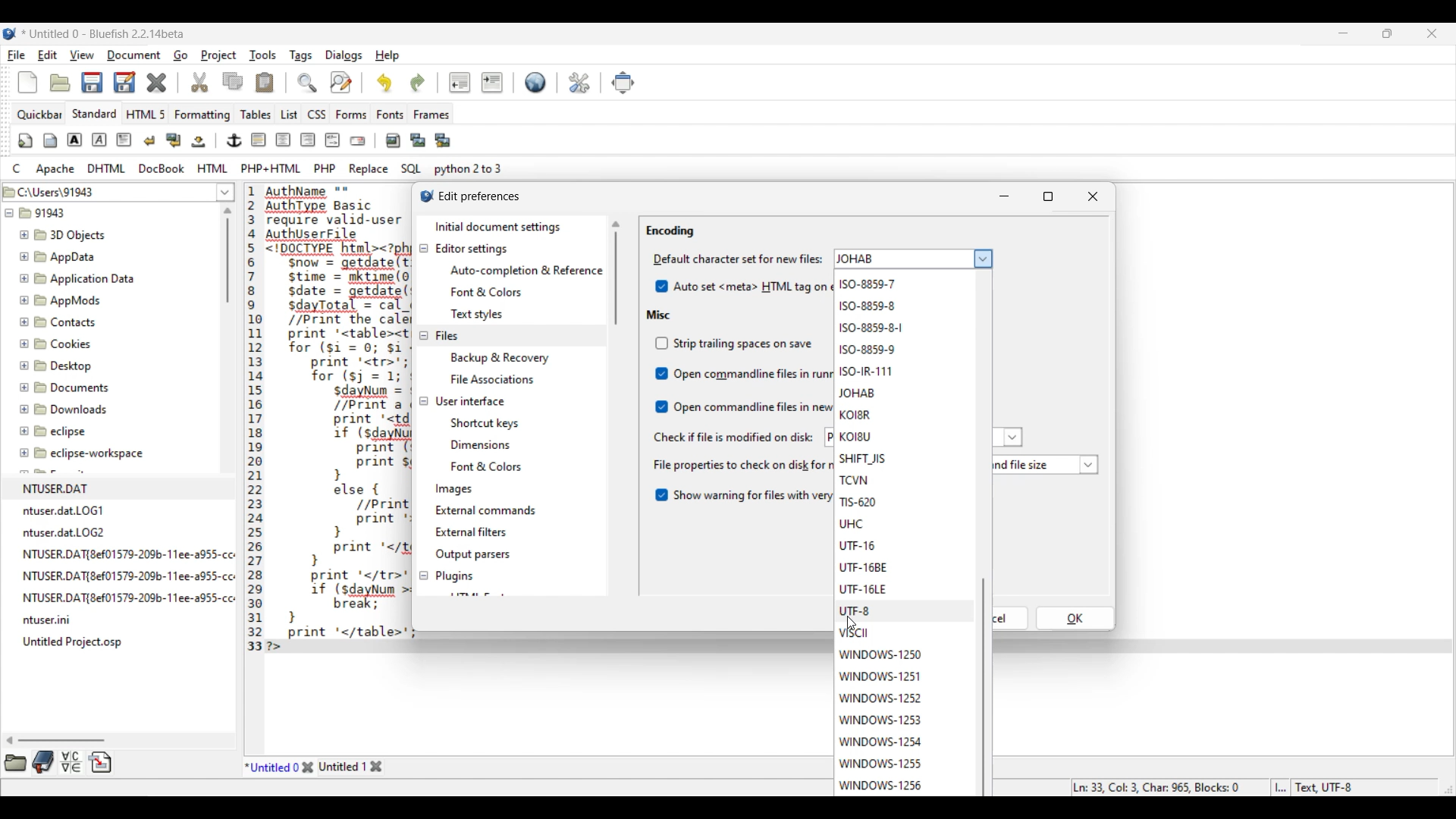  I want to click on Plugins, so click(455, 574).